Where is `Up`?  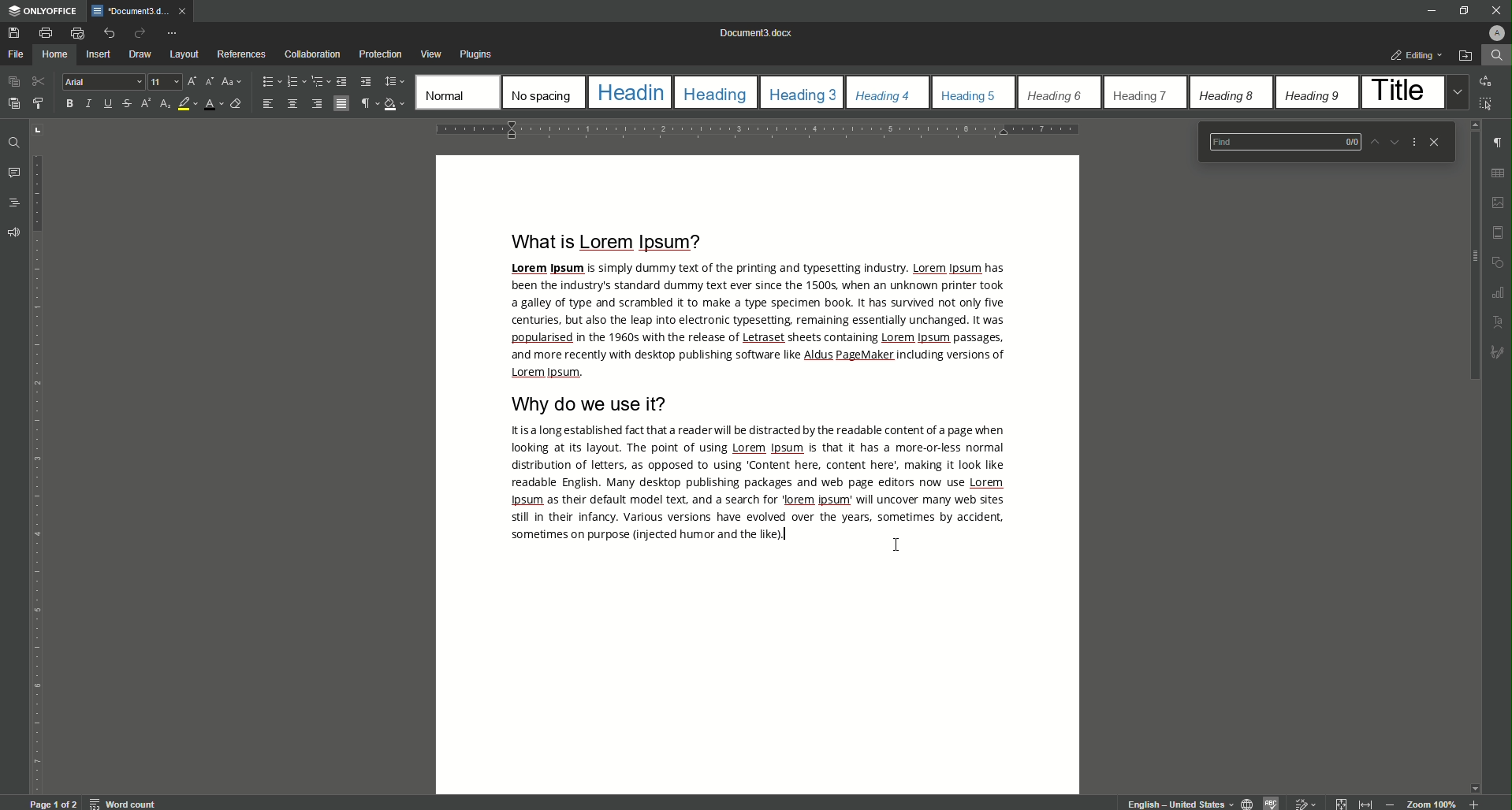
Up is located at coordinates (1368, 139).